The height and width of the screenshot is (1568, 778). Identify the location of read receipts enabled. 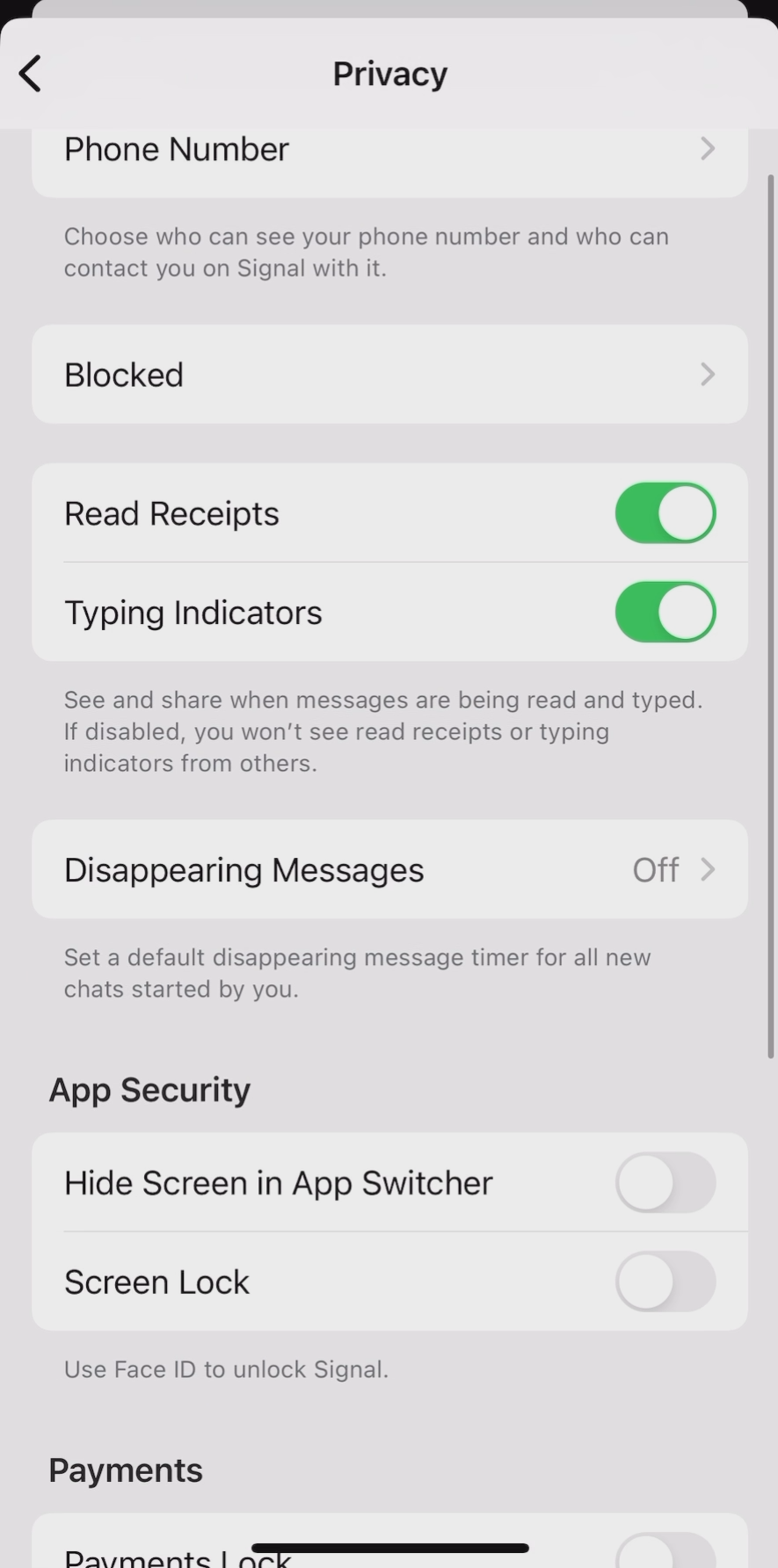
(387, 516).